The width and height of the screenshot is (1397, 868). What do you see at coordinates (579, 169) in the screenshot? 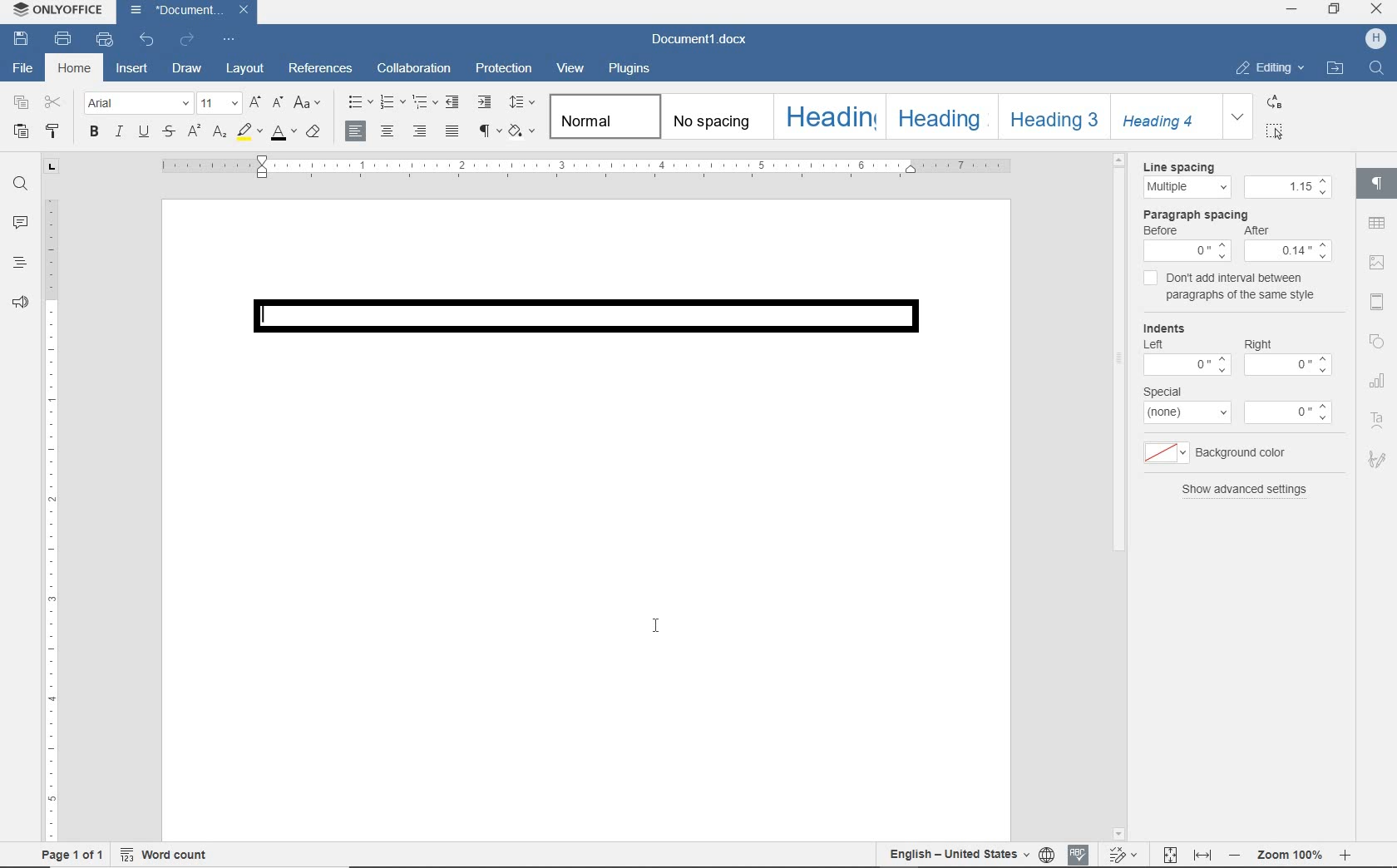
I see `ruler` at bounding box center [579, 169].